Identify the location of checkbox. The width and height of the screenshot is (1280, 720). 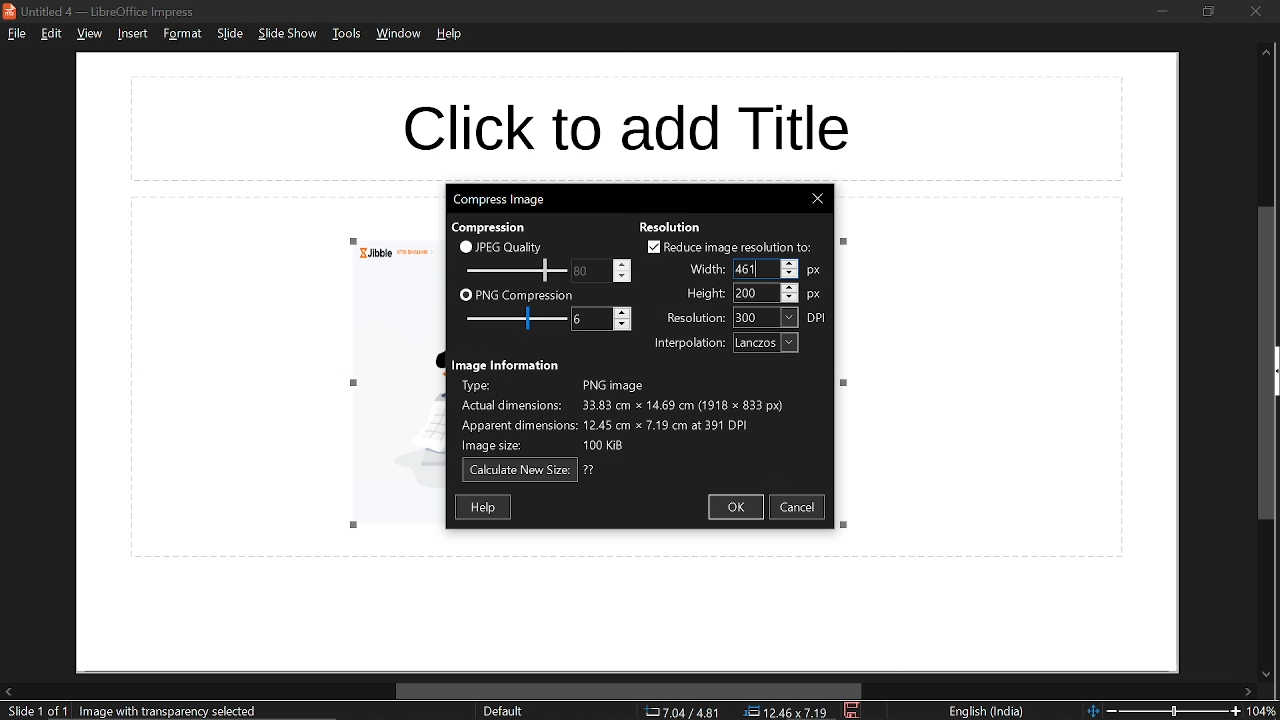
(465, 296).